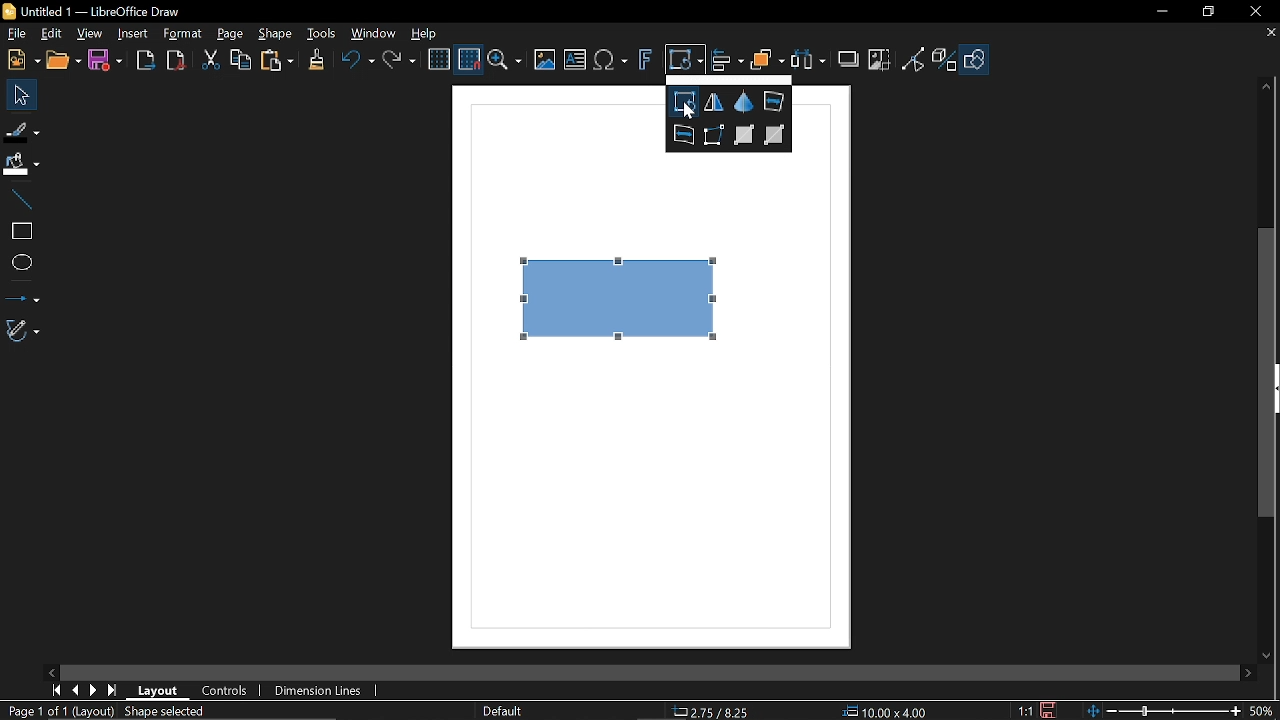  I want to click on 10.00x4.00(Object Size), so click(885, 712).